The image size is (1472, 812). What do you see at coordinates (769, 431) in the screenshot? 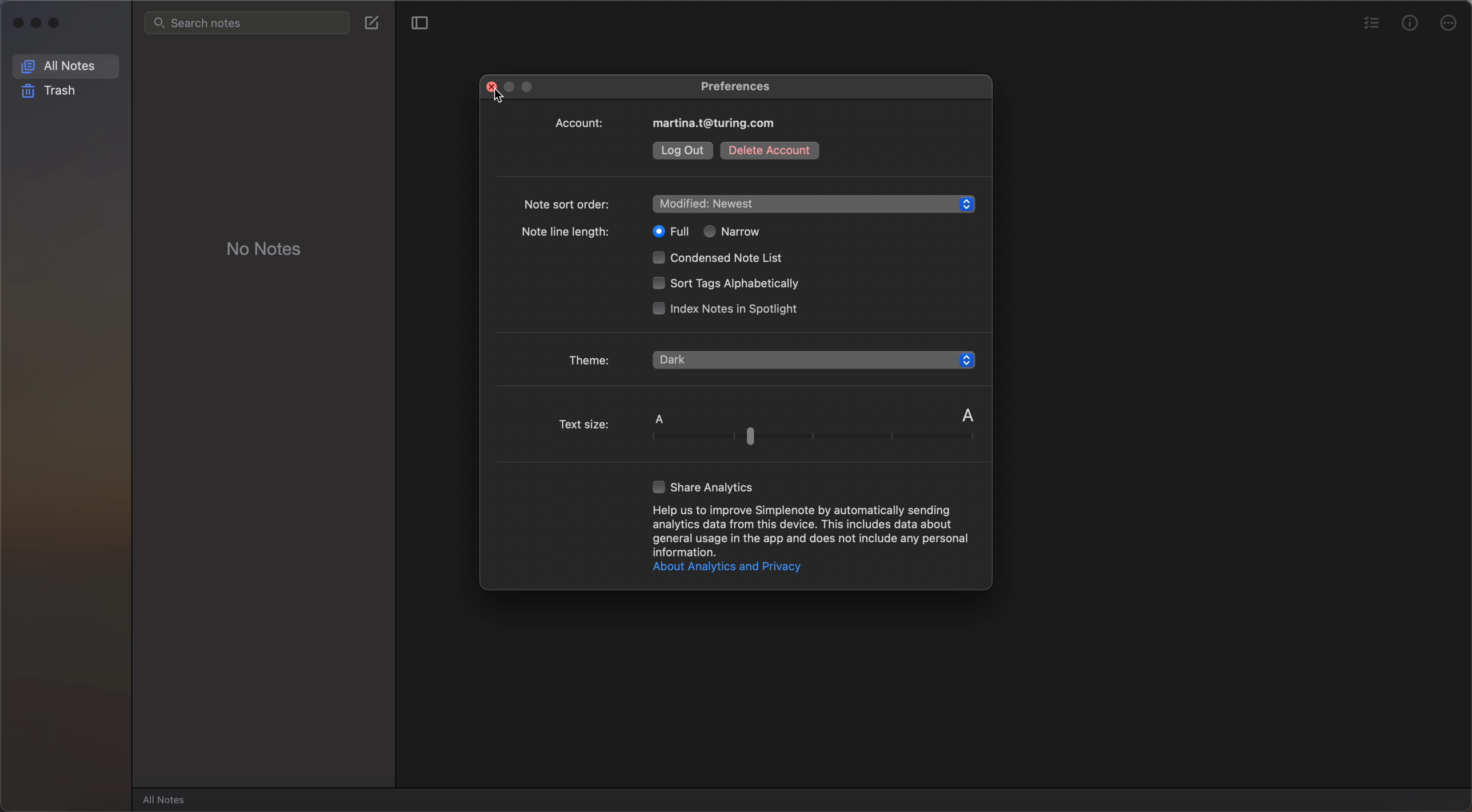
I see `text size` at bounding box center [769, 431].